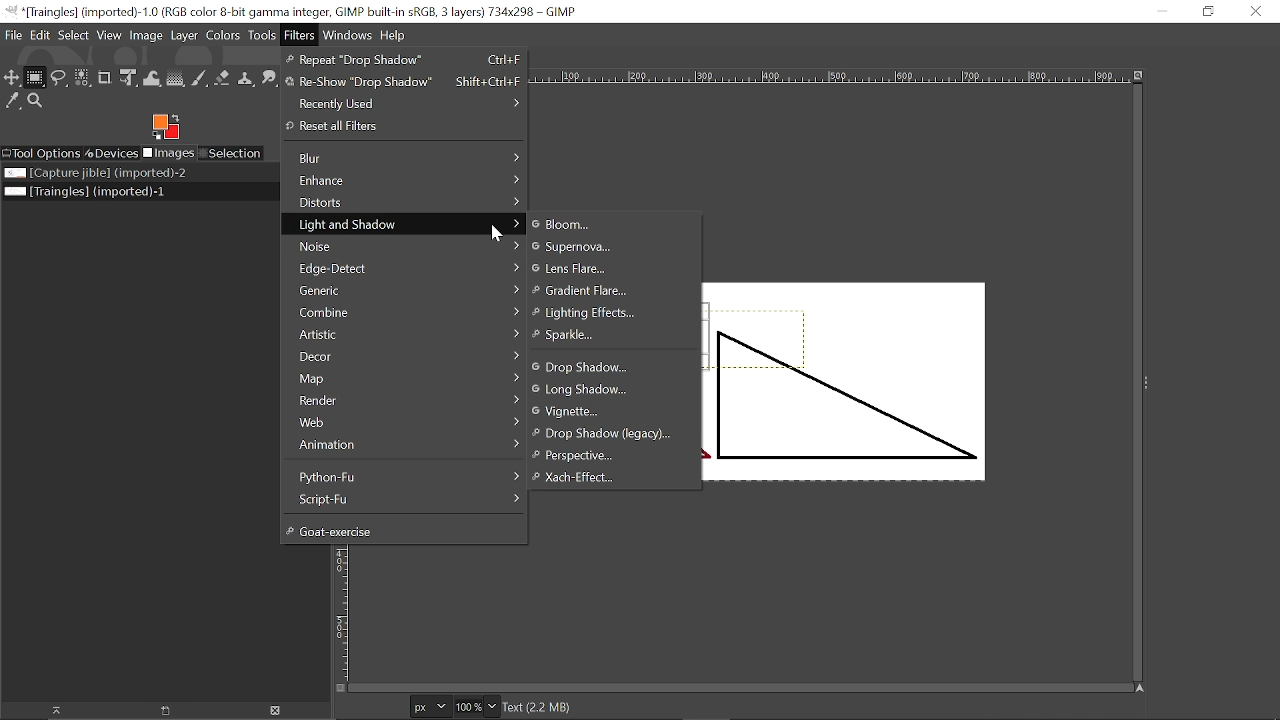 The width and height of the screenshot is (1280, 720). What do you see at coordinates (93, 174) in the screenshot?
I see `Image file titled "Capture jible"` at bounding box center [93, 174].